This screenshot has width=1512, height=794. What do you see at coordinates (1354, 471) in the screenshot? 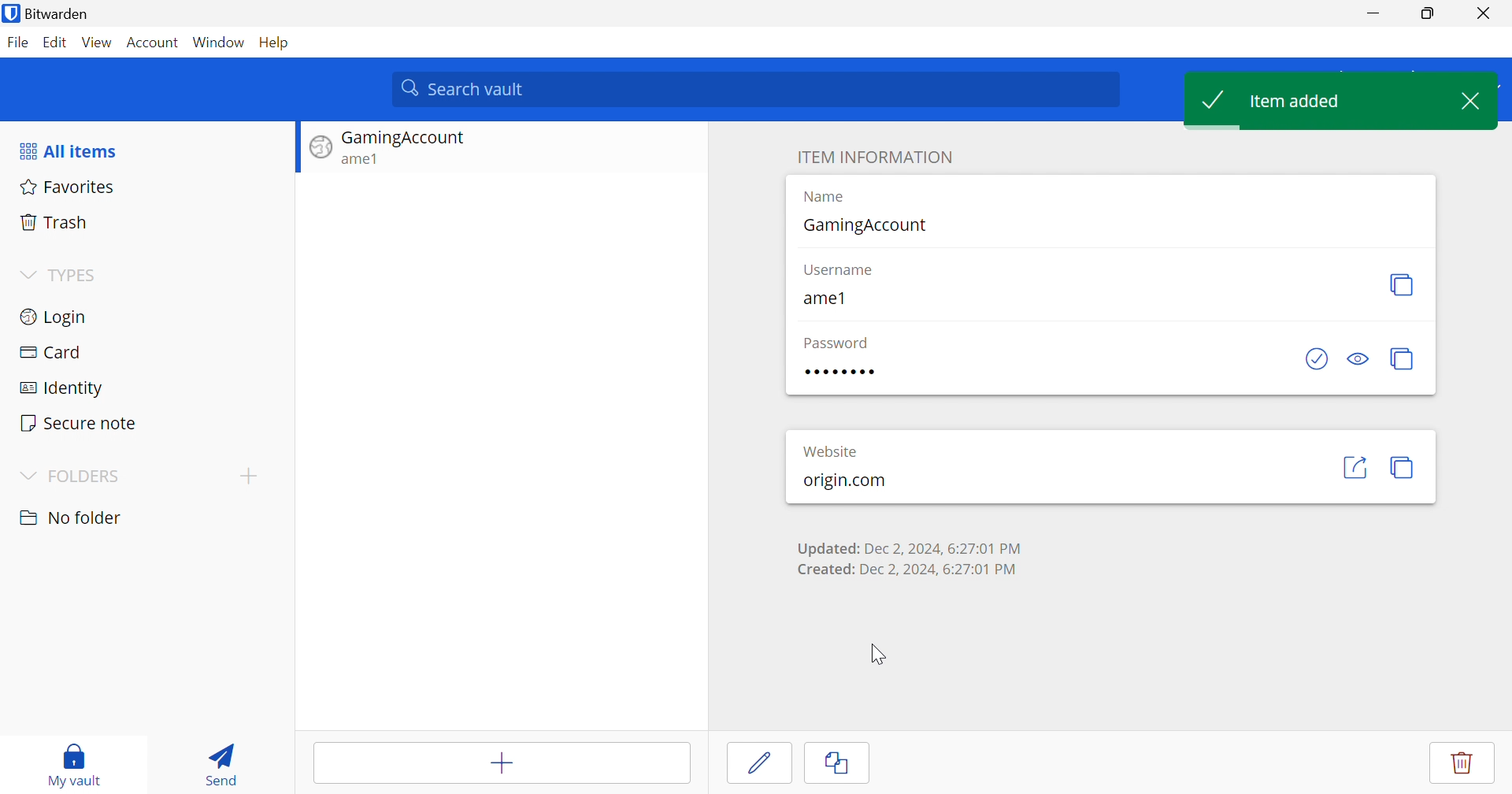
I see `Launch URI` at bounding box center [1354, 471].